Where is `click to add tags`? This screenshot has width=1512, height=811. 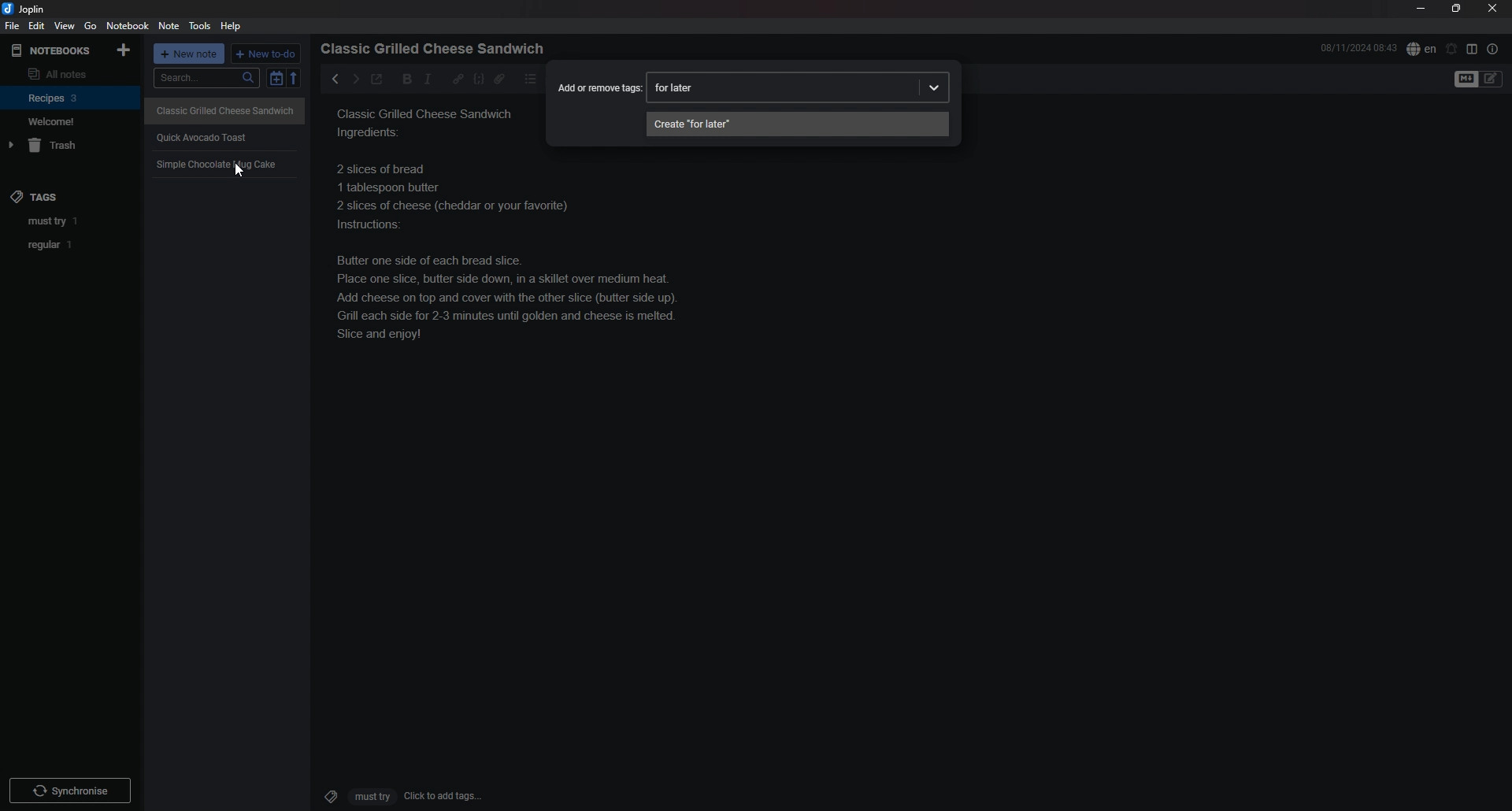 click to add tags is located at coordinates (396, 795).